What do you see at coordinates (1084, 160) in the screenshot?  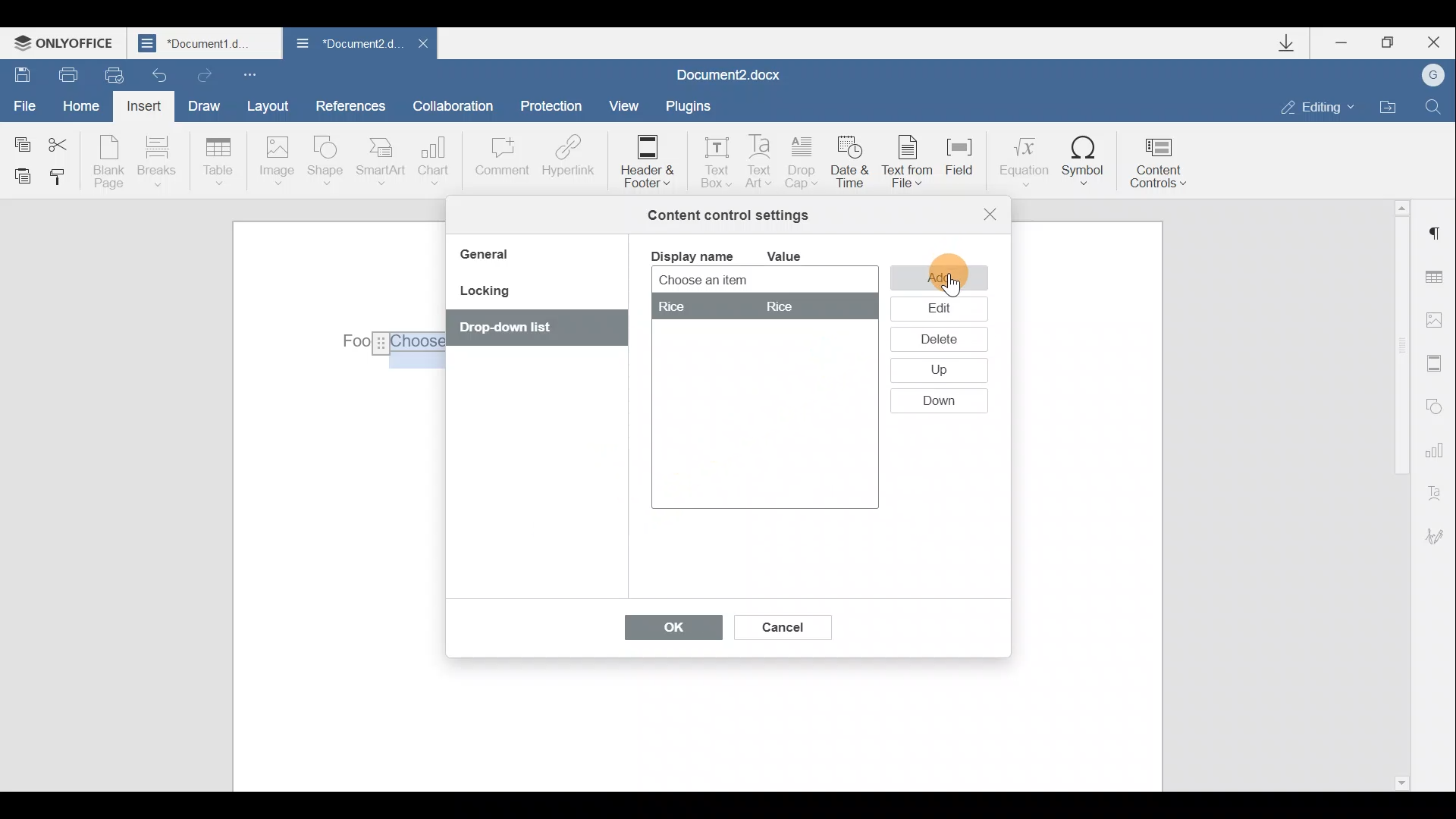 I see `Symbol` at bounding box center [1084, 160].